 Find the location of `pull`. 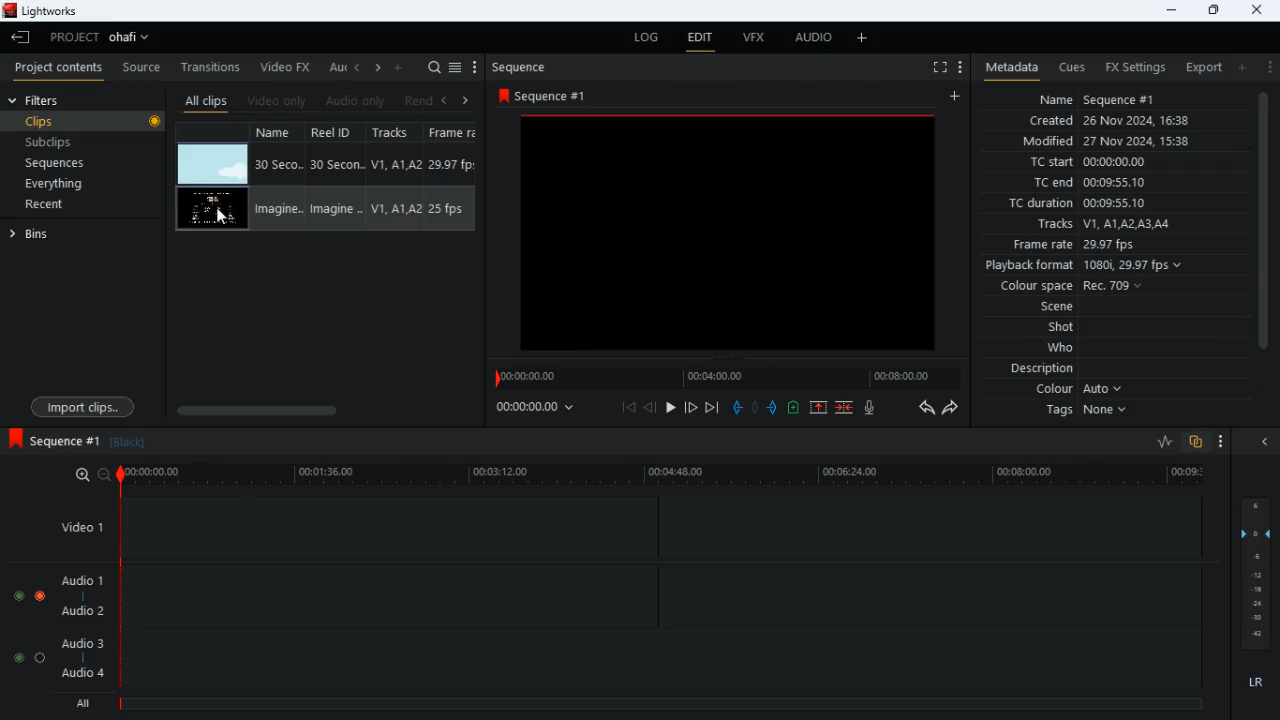

pull is located at coordinates (738, 407).